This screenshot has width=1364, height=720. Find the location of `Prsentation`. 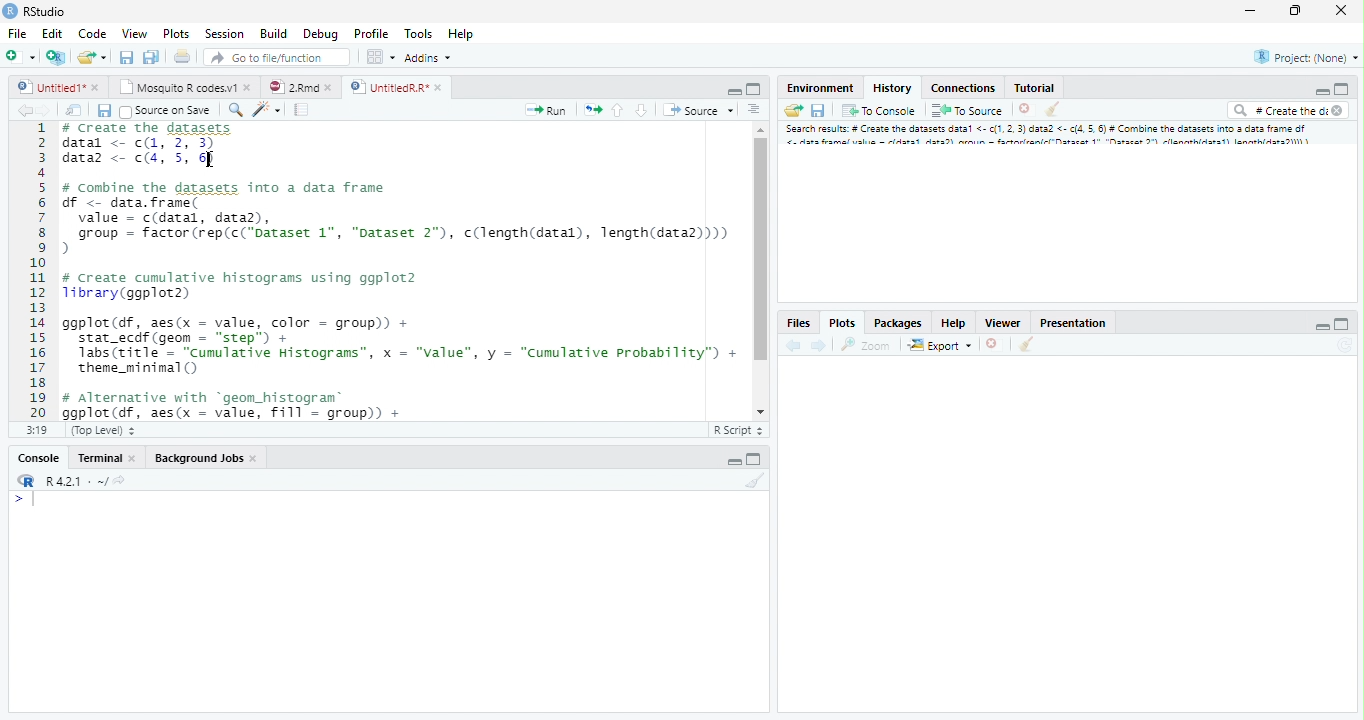

Prsentation is located at coordinates (1069, 321).